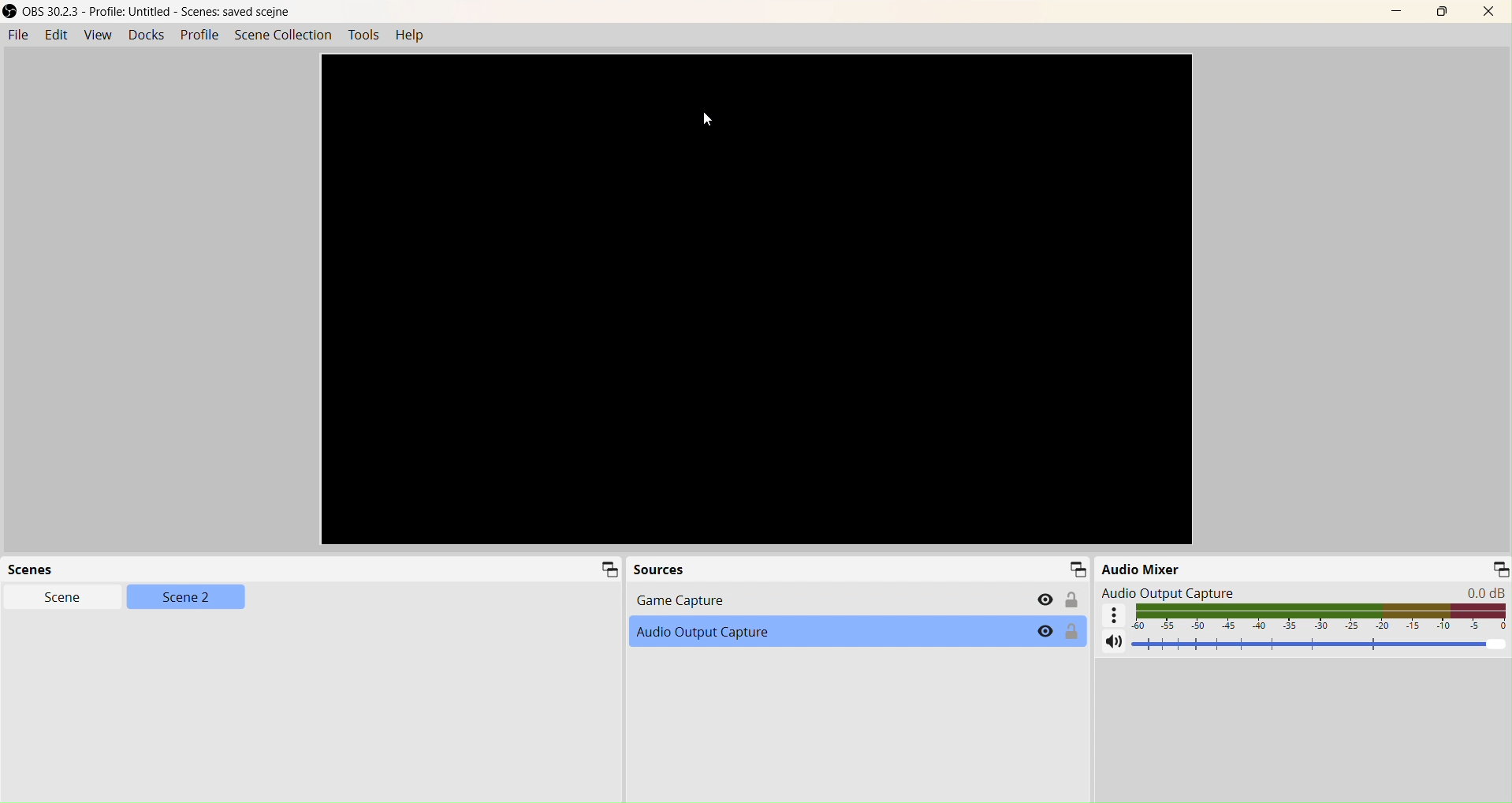  Describe the element at coordinates (858, 632) in the screenshot. I see `Audio Output Capture` at that location.